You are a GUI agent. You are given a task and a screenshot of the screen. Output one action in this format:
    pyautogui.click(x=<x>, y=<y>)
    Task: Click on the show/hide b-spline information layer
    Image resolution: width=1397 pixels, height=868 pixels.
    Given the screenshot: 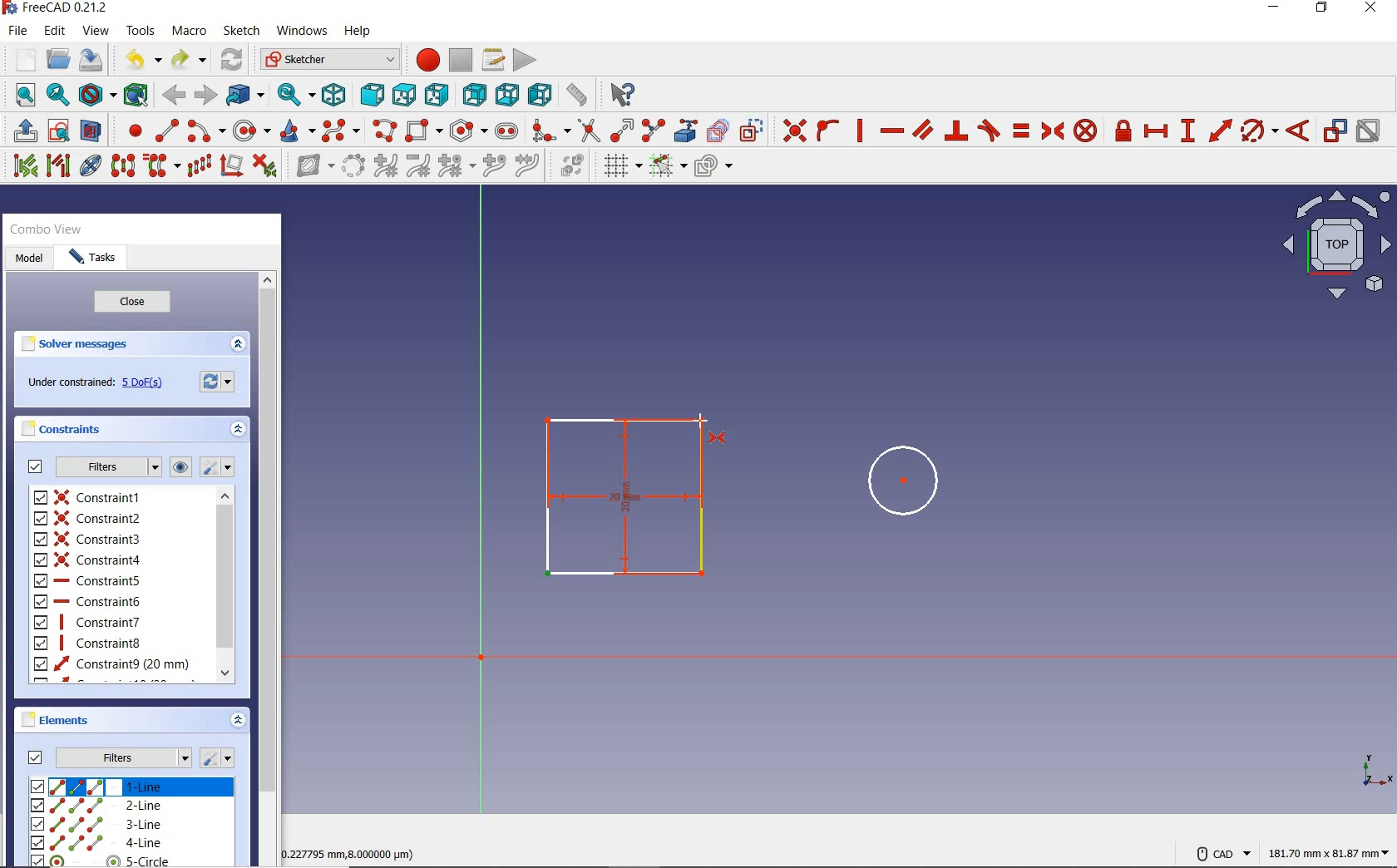 What is the action you would take?
    pyautogui.click(x=311, y=167)
    